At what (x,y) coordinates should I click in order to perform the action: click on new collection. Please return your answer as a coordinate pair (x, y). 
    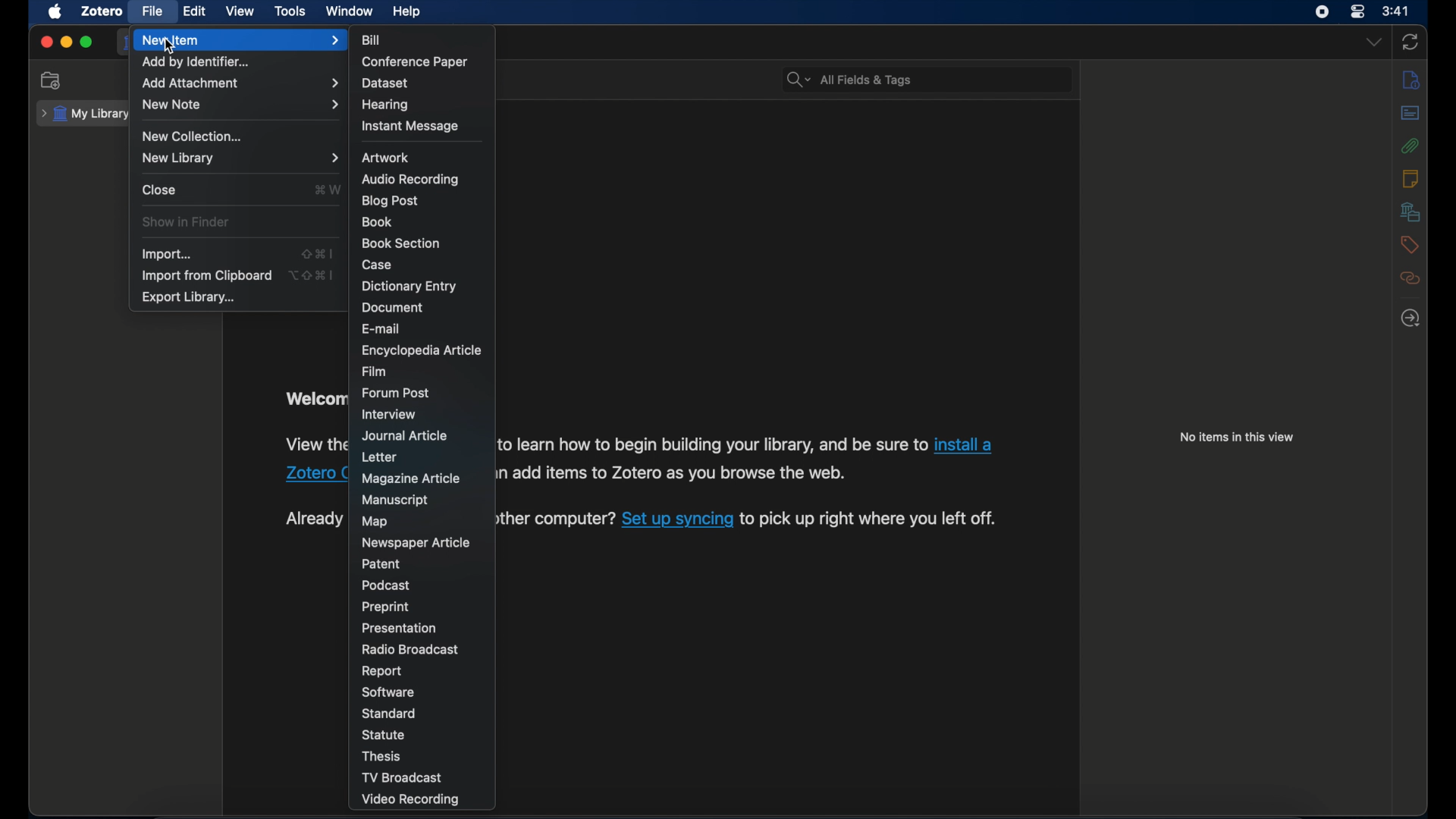
    Looking at the image, I should click on (52, 80).